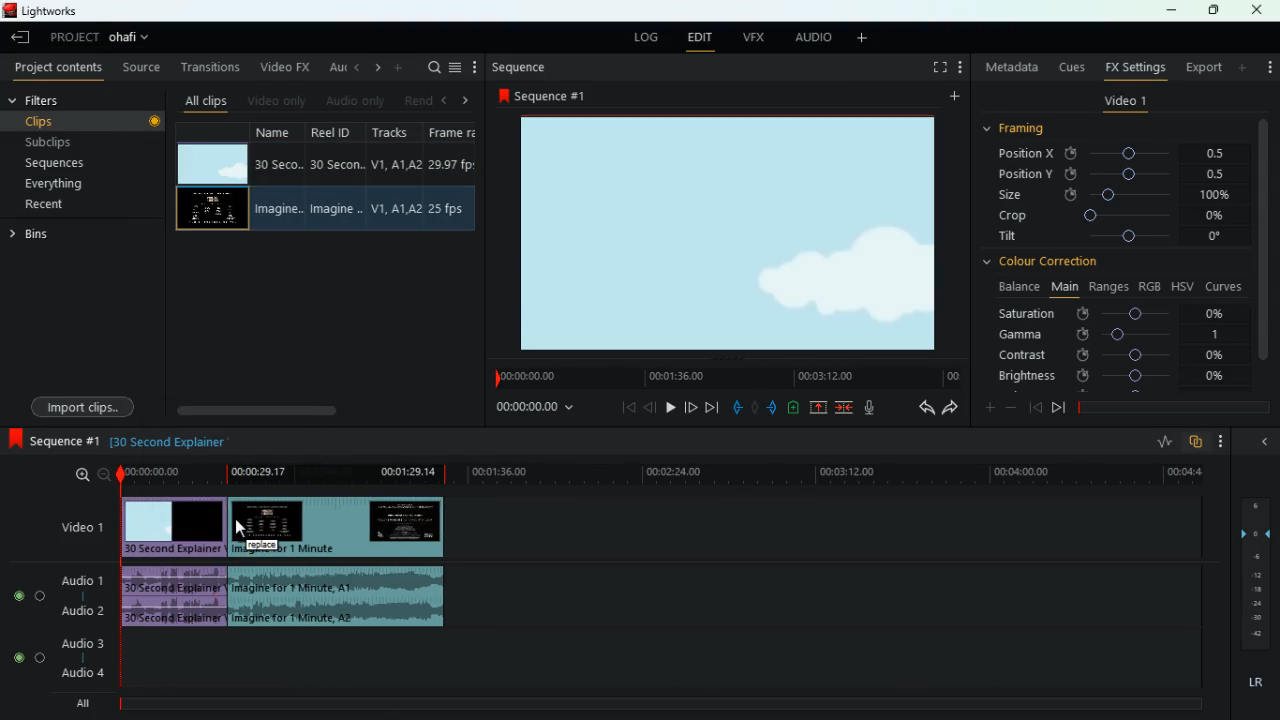 This screenshot has height=720, width=1280. I want to click on gamma, so click(1110, 334).